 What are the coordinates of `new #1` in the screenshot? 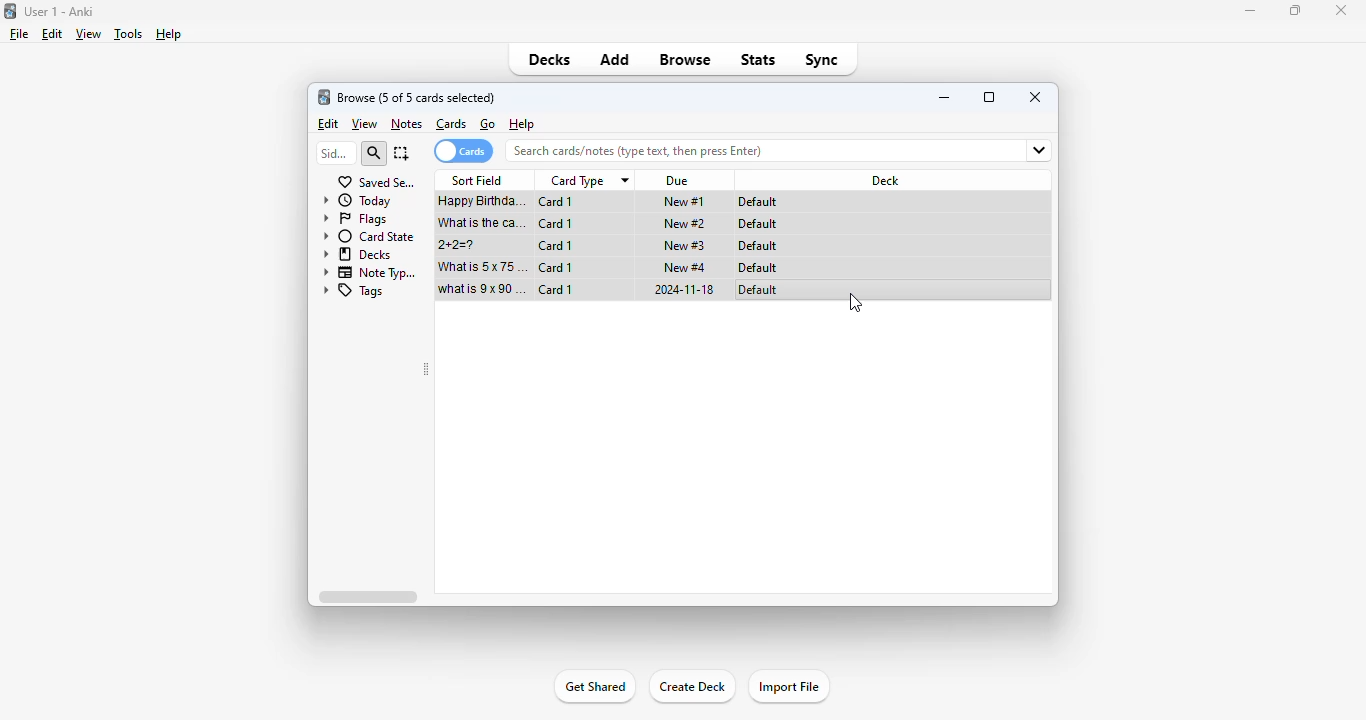 It's located at (684, 201).